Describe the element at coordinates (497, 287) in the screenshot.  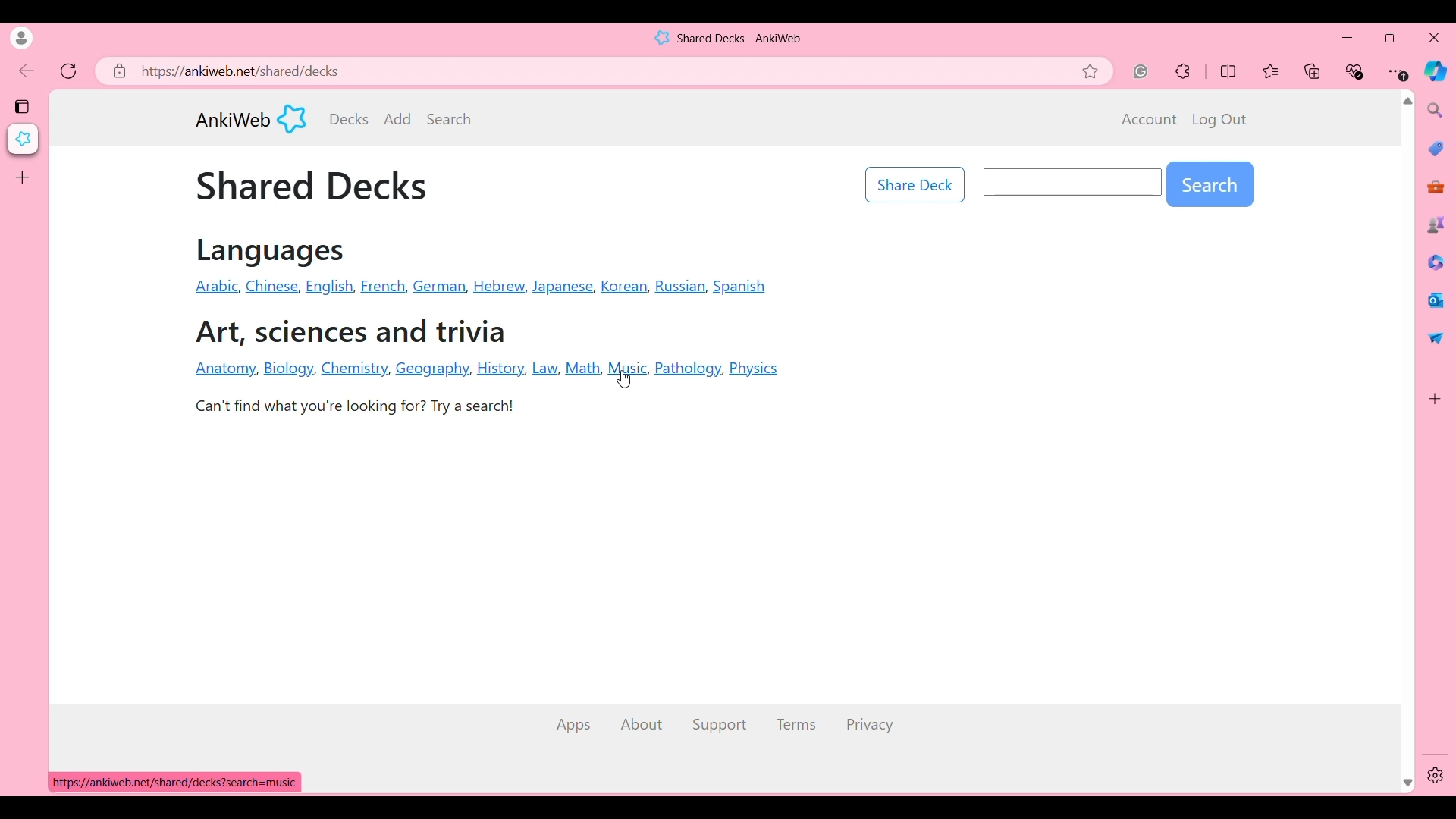
I see `Hebrew` at that location.